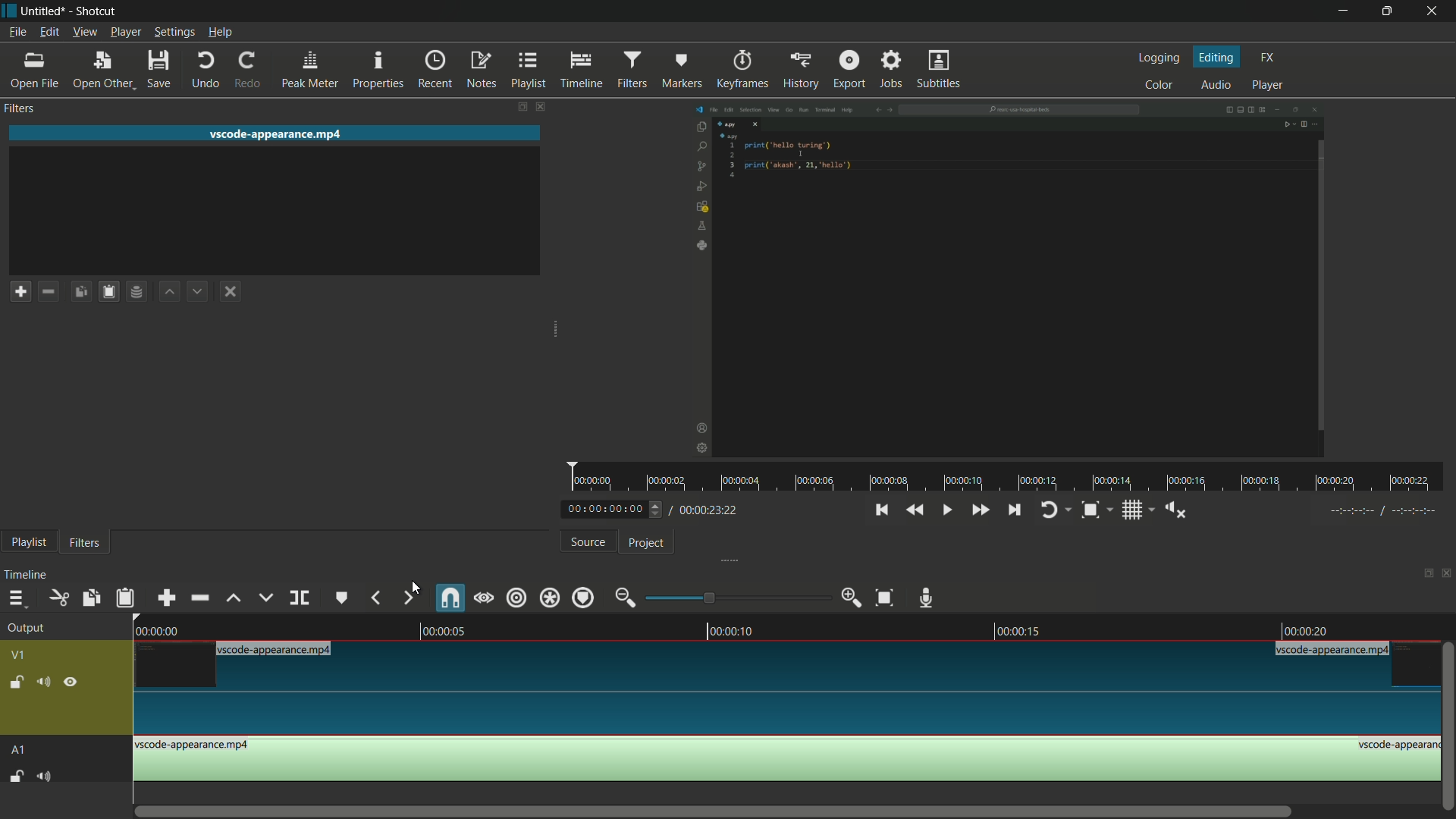  I want to click on notes, so click(482, 71).